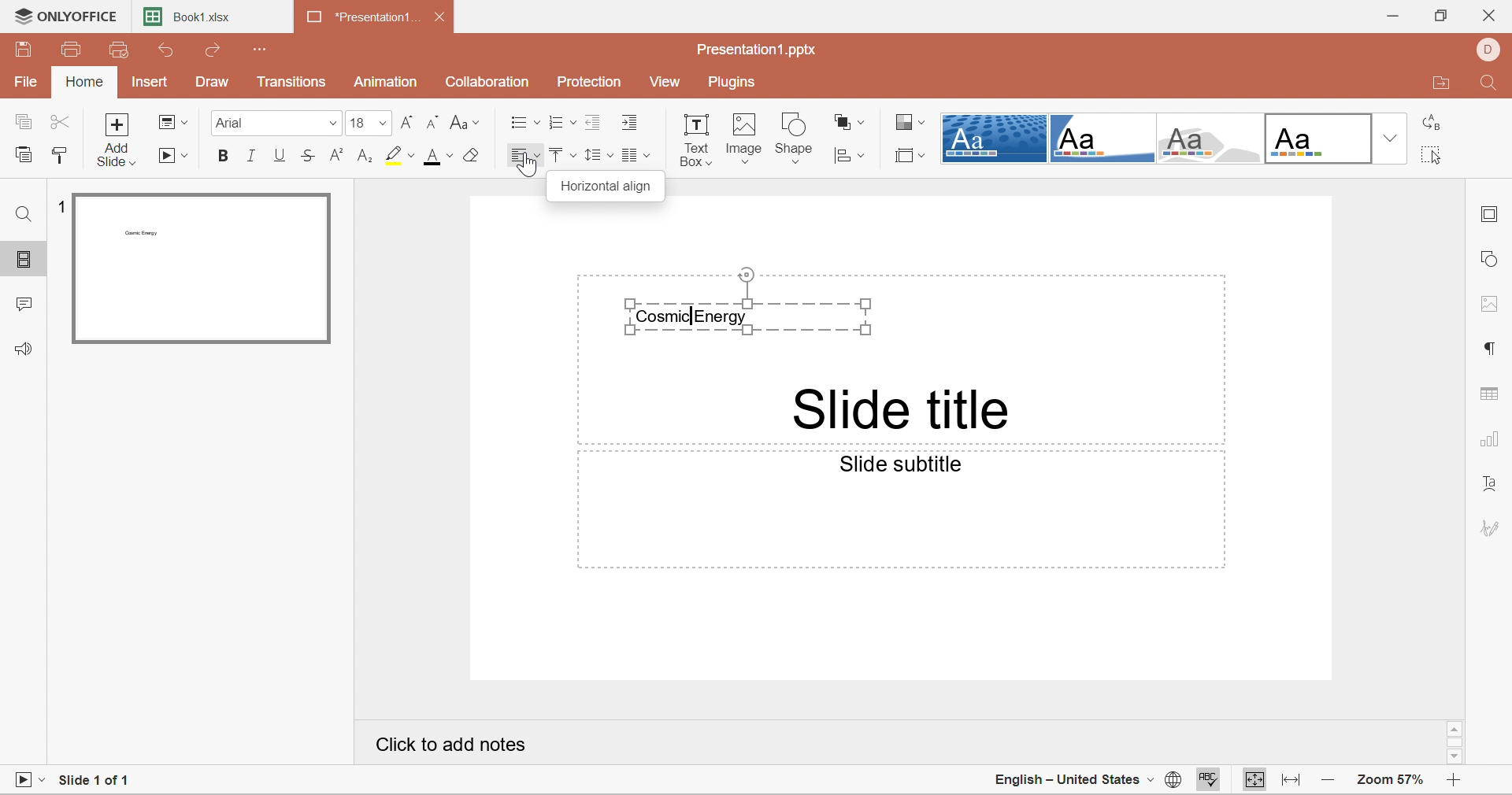 The width and height of the screenshot is (1512, 795). What do you see at coordinates (750, 301) in the screenshot?
I see `Cosmic Energy` at bounding box center [750, 301].